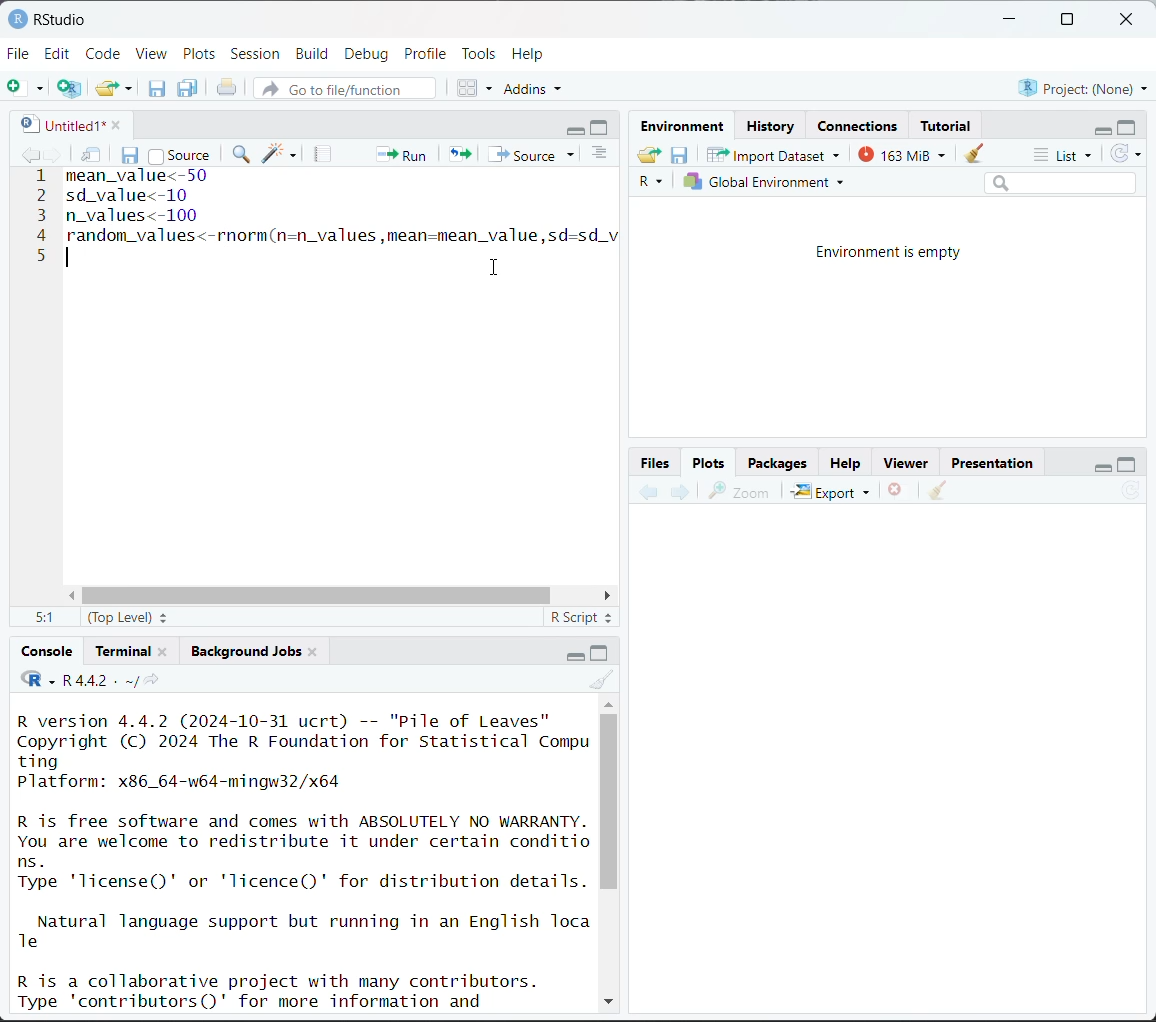 The height and width of the screenshot is (1022, 1156). Describe the element at coordinates (280, 153) in the screenshot. I see `code tools` at that location.